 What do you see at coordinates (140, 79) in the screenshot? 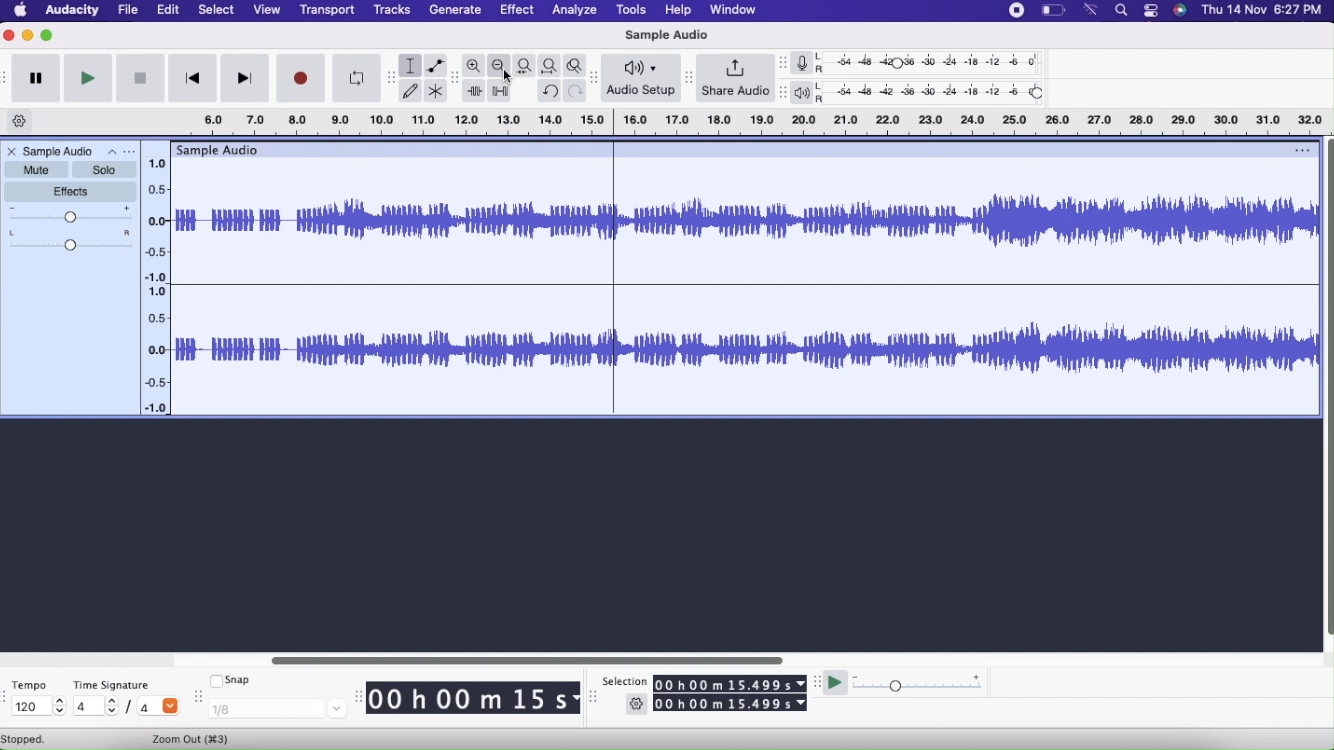
I see `Stop` at bounding box center [140, 79].